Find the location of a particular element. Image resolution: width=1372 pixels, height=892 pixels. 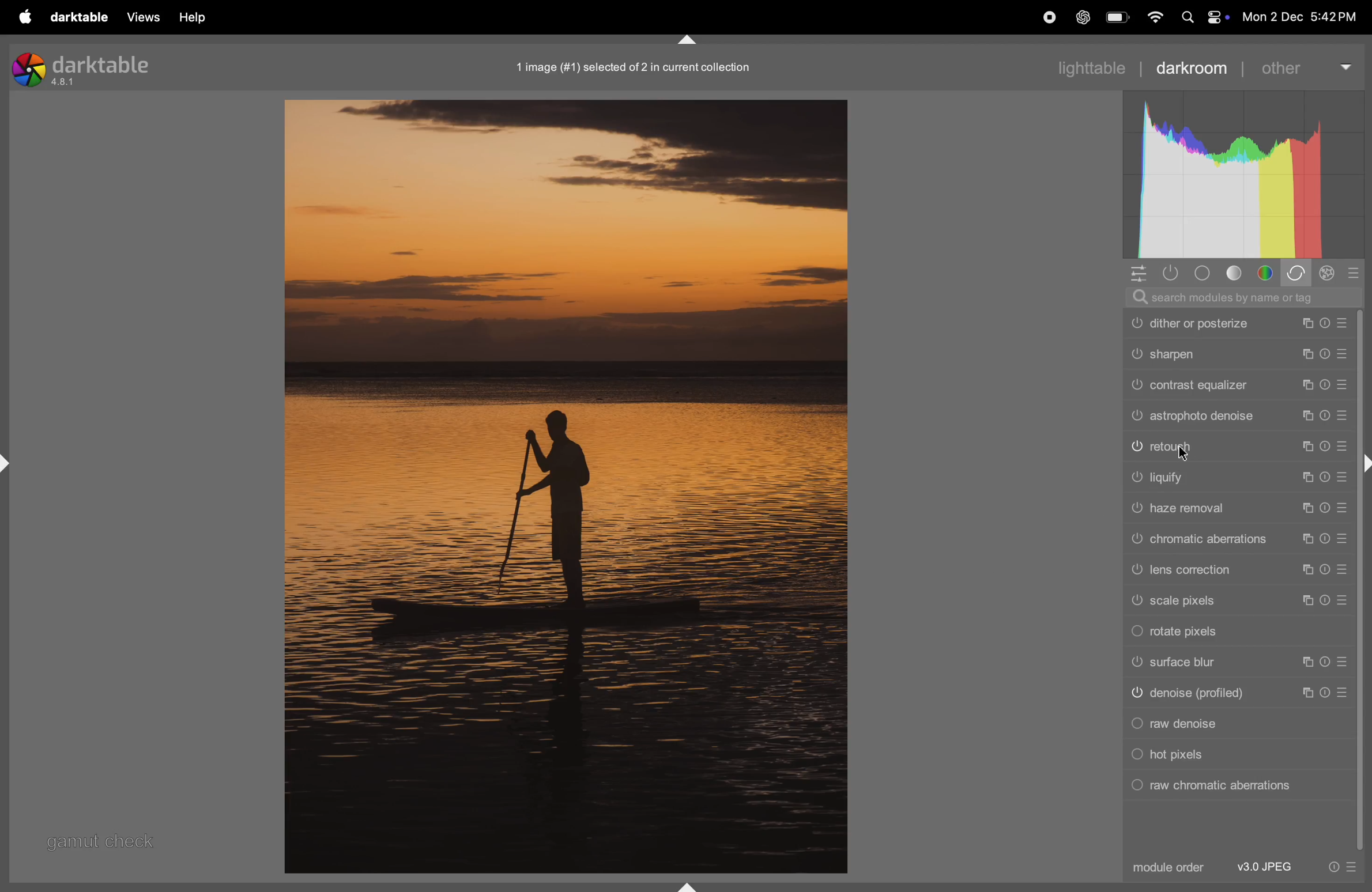

help is located at coordinates (191, 17).